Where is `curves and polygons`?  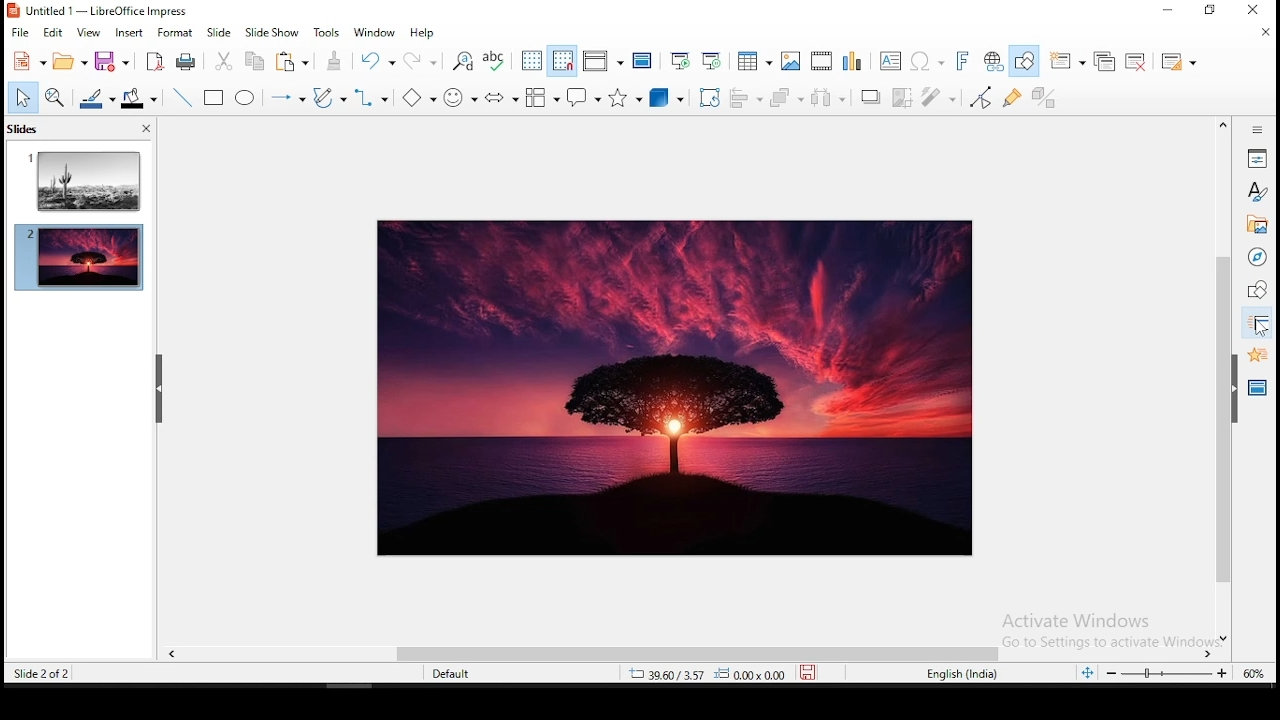 curves and polygons is located at coordinates (328, 98).